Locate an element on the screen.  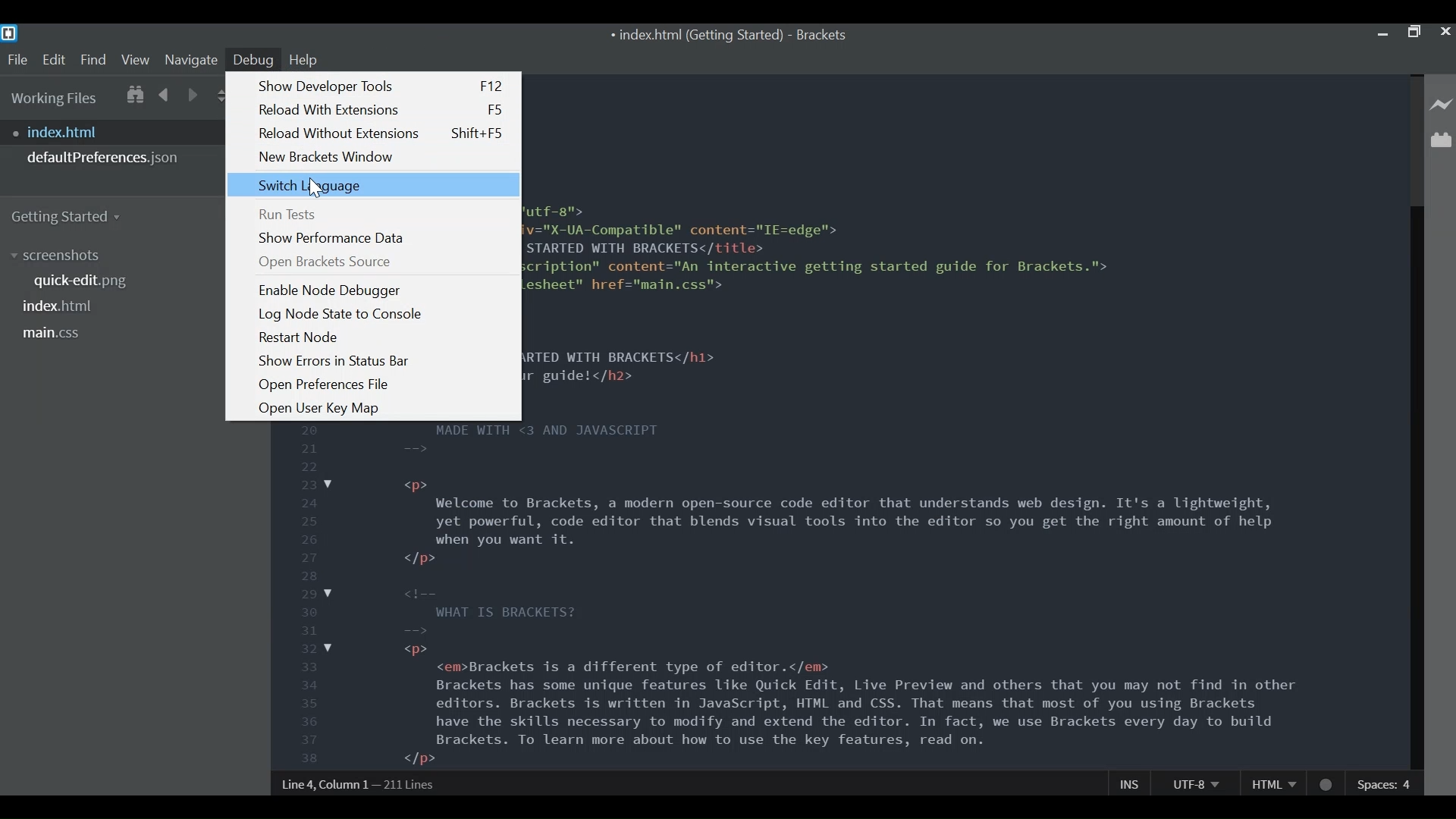
index.html (Getting Started) is located at coordinates (695, 36).